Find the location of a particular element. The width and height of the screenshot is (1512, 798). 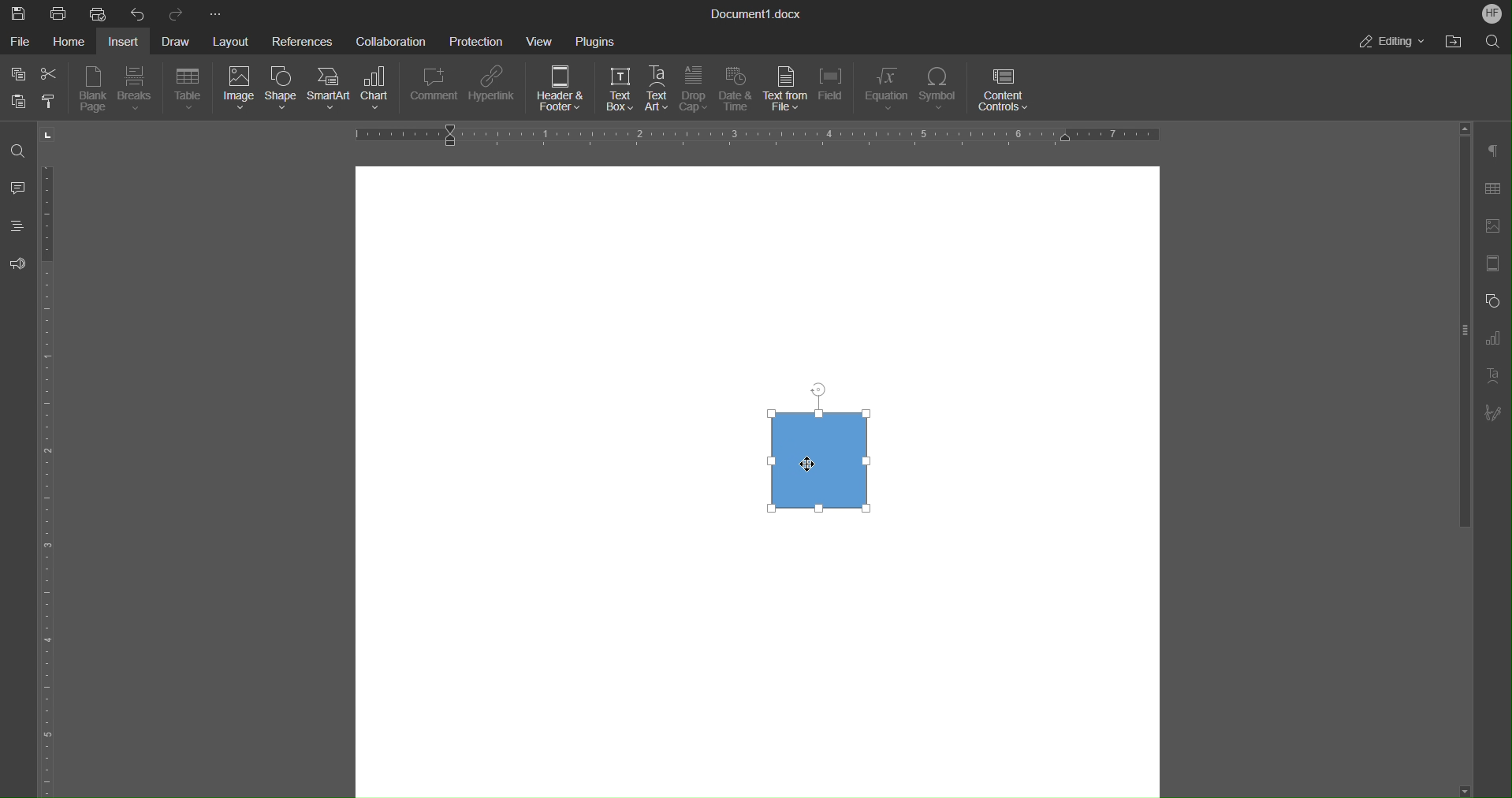

Home is located at coordinates (73, 42).